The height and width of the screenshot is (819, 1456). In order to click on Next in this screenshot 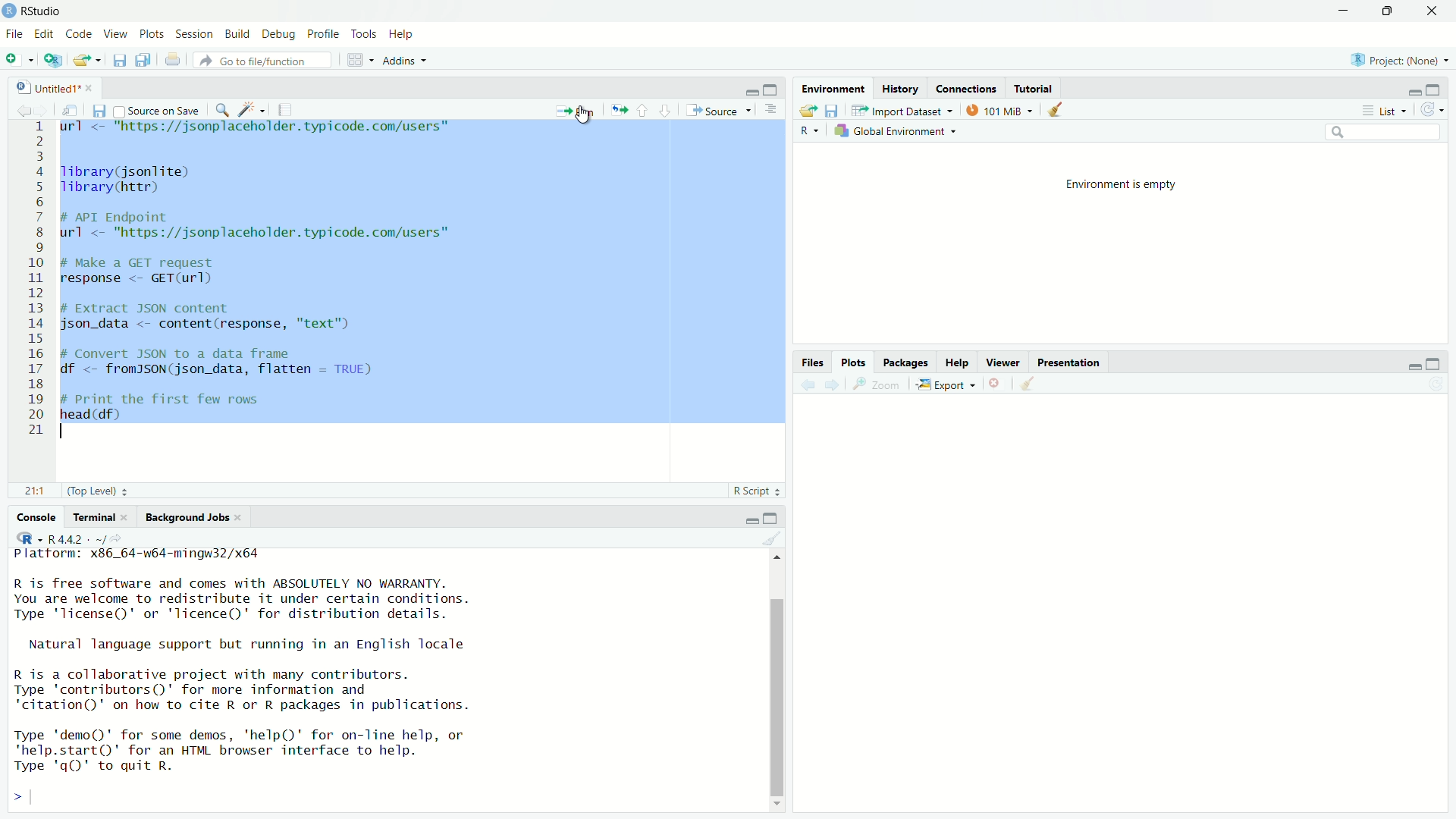, I will do `click(42, 111)`.